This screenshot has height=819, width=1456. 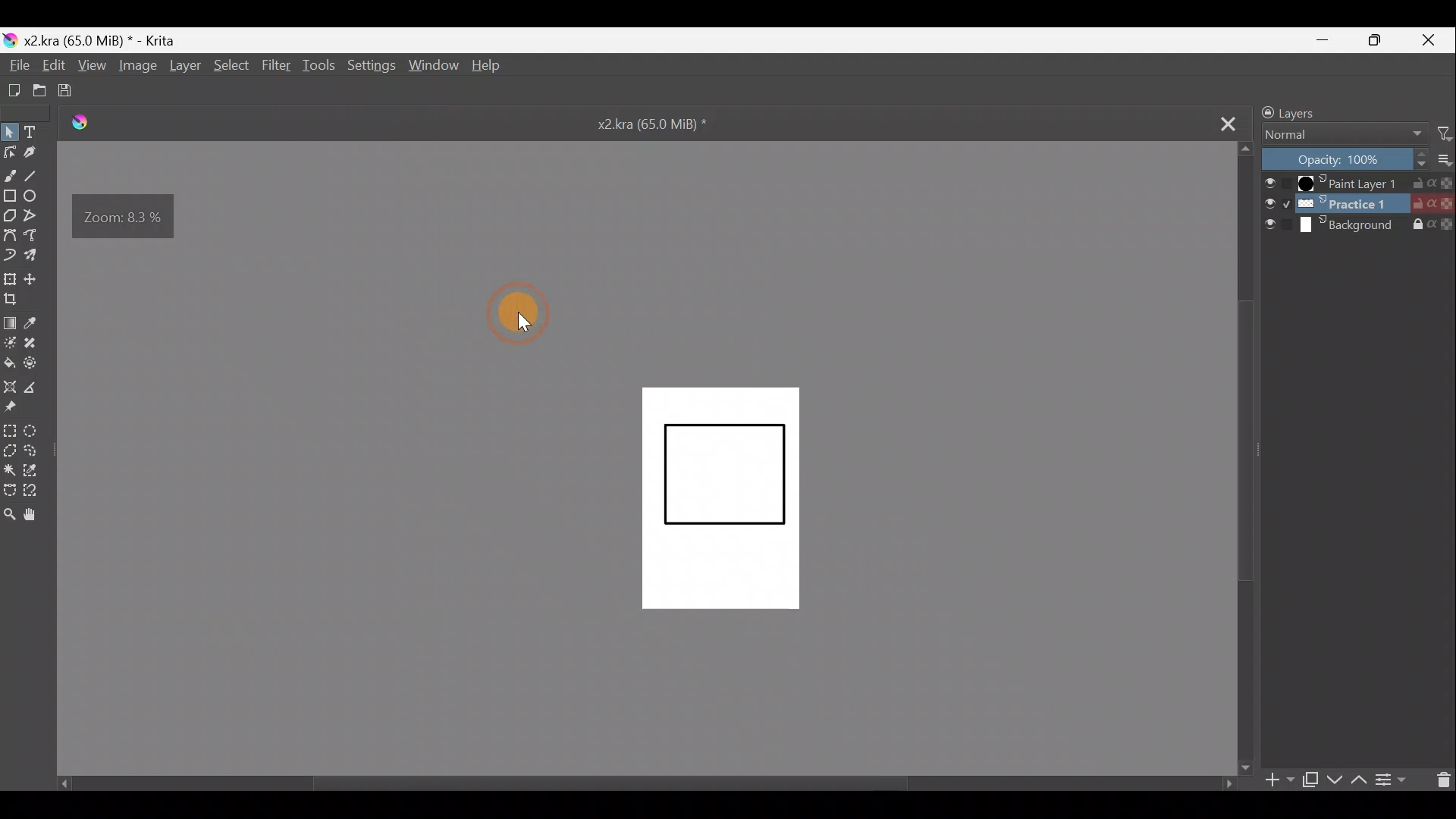 What do you see at coordinates (17, 303) in the screenshot?
I see `Crop the image to an area` at bounding box center [17, 303].